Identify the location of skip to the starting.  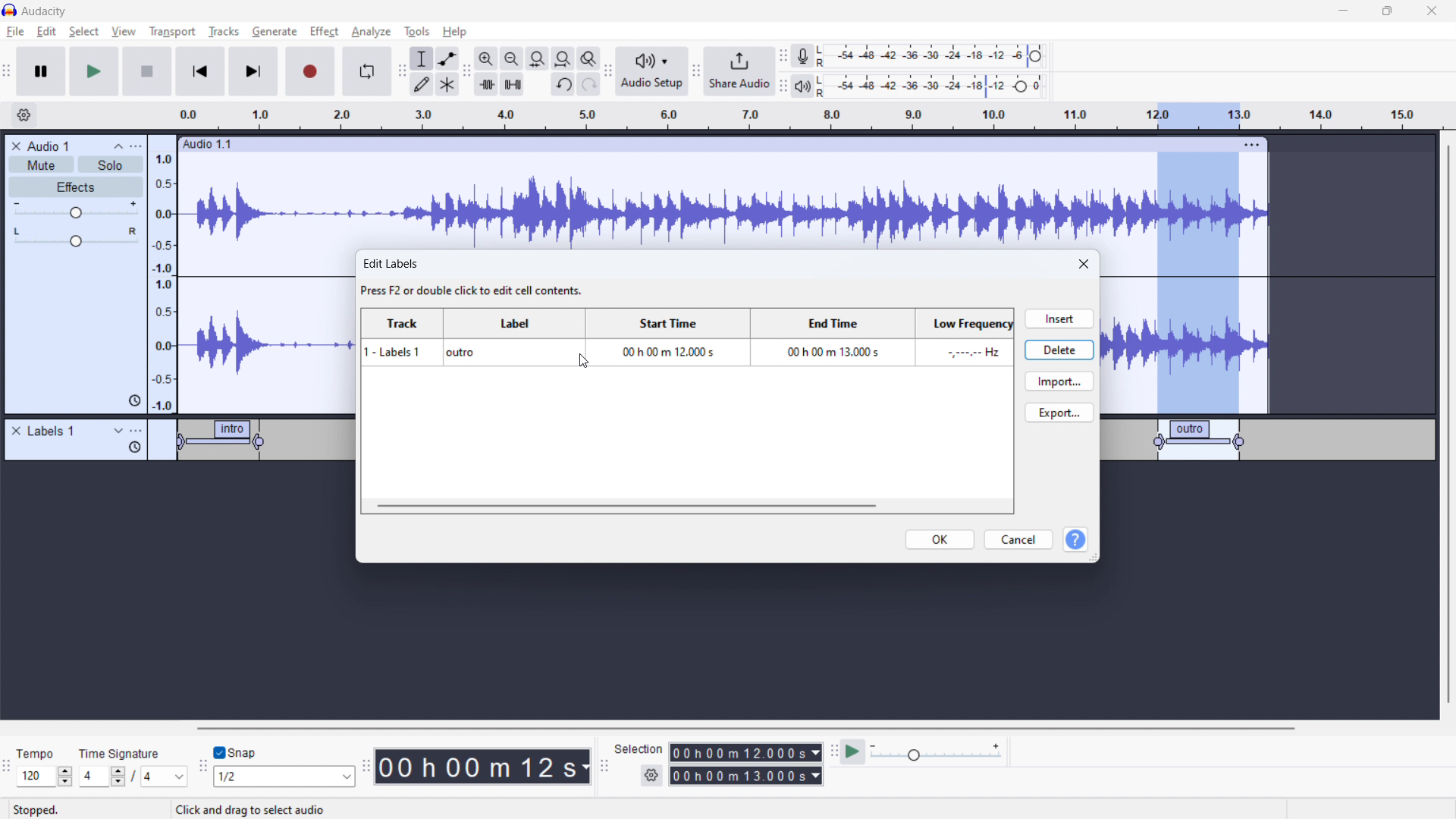
(199, 72).